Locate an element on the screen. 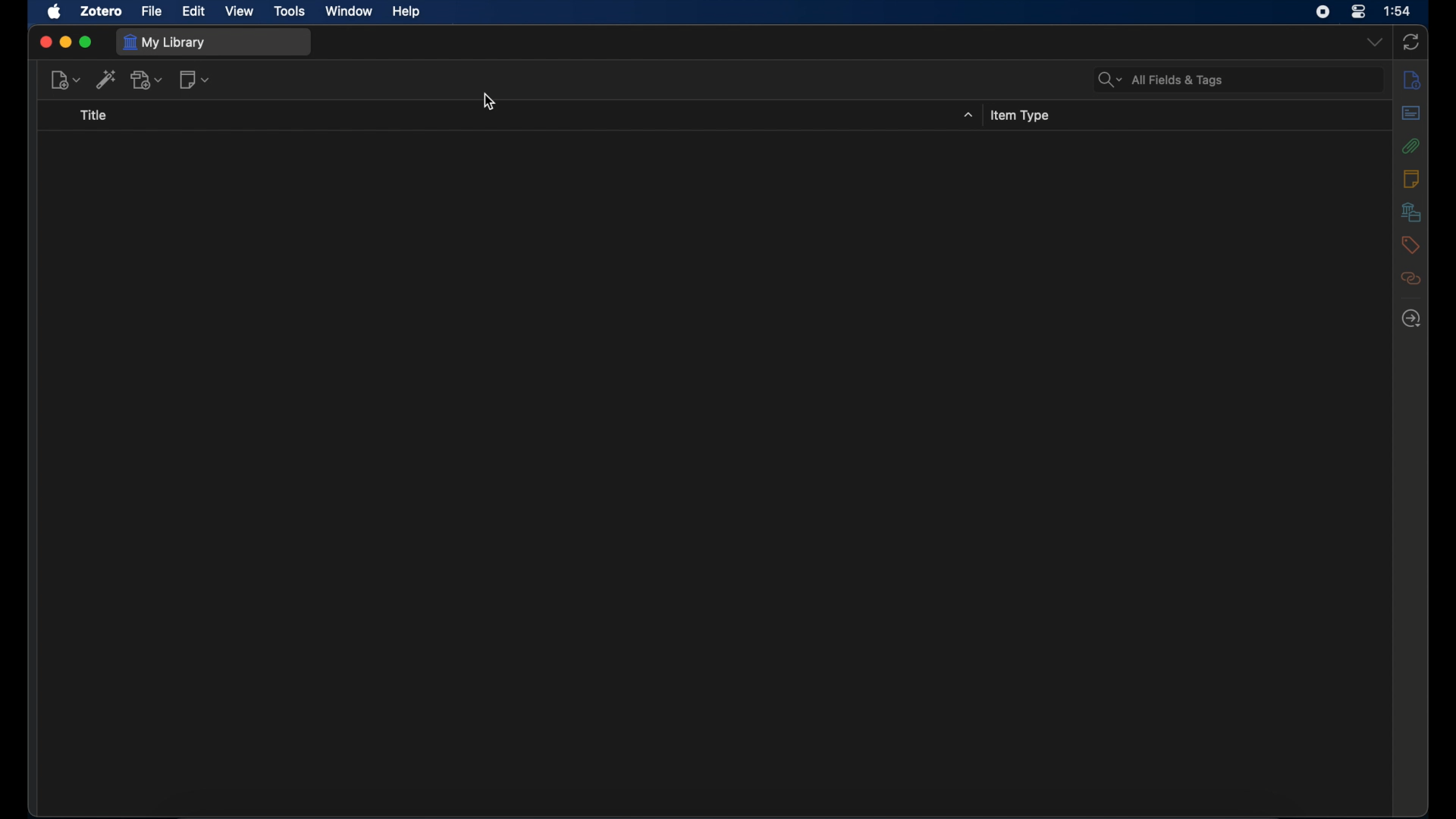 This screenshot has height=819, width=1456. my library is located at coordinates (165, 42).